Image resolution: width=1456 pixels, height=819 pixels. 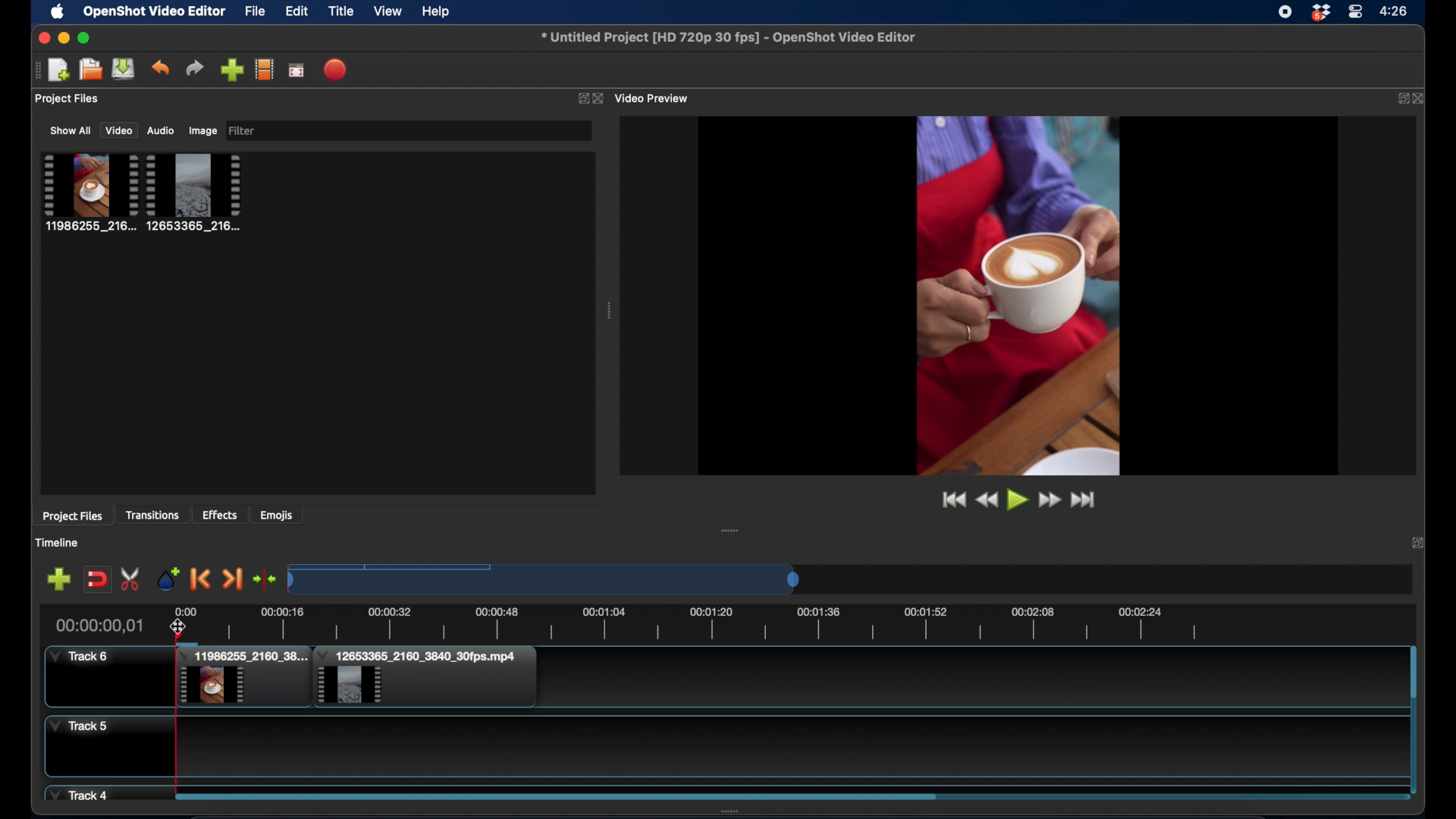 What do you see at coordinates (154, 515) in the screenshot?
I see `transitions` at bounding box center [154, 515].